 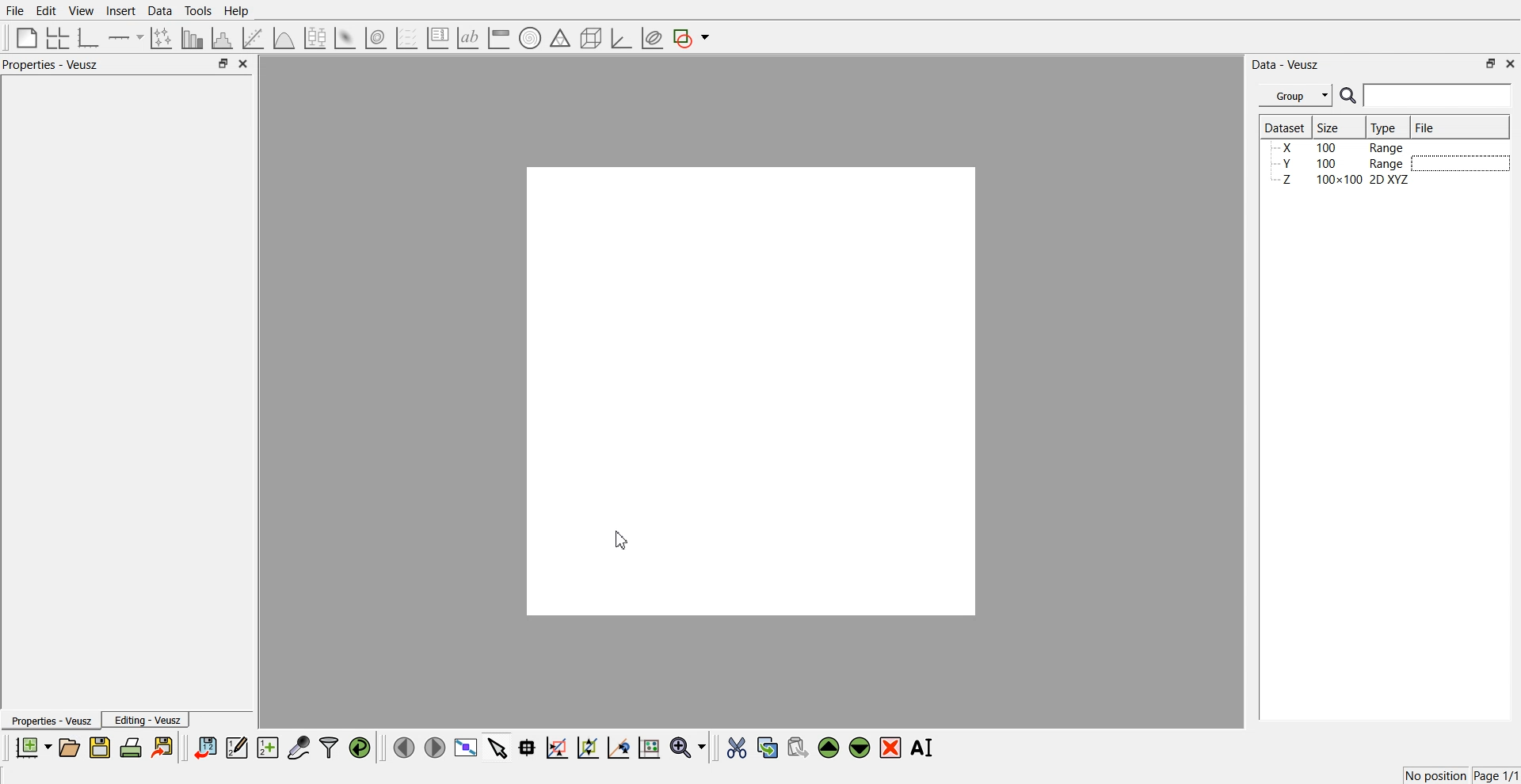 What do you see at coordinates (345, 38) in the screenshot?
I see `3D Surface` at bounding box center [345, 38].